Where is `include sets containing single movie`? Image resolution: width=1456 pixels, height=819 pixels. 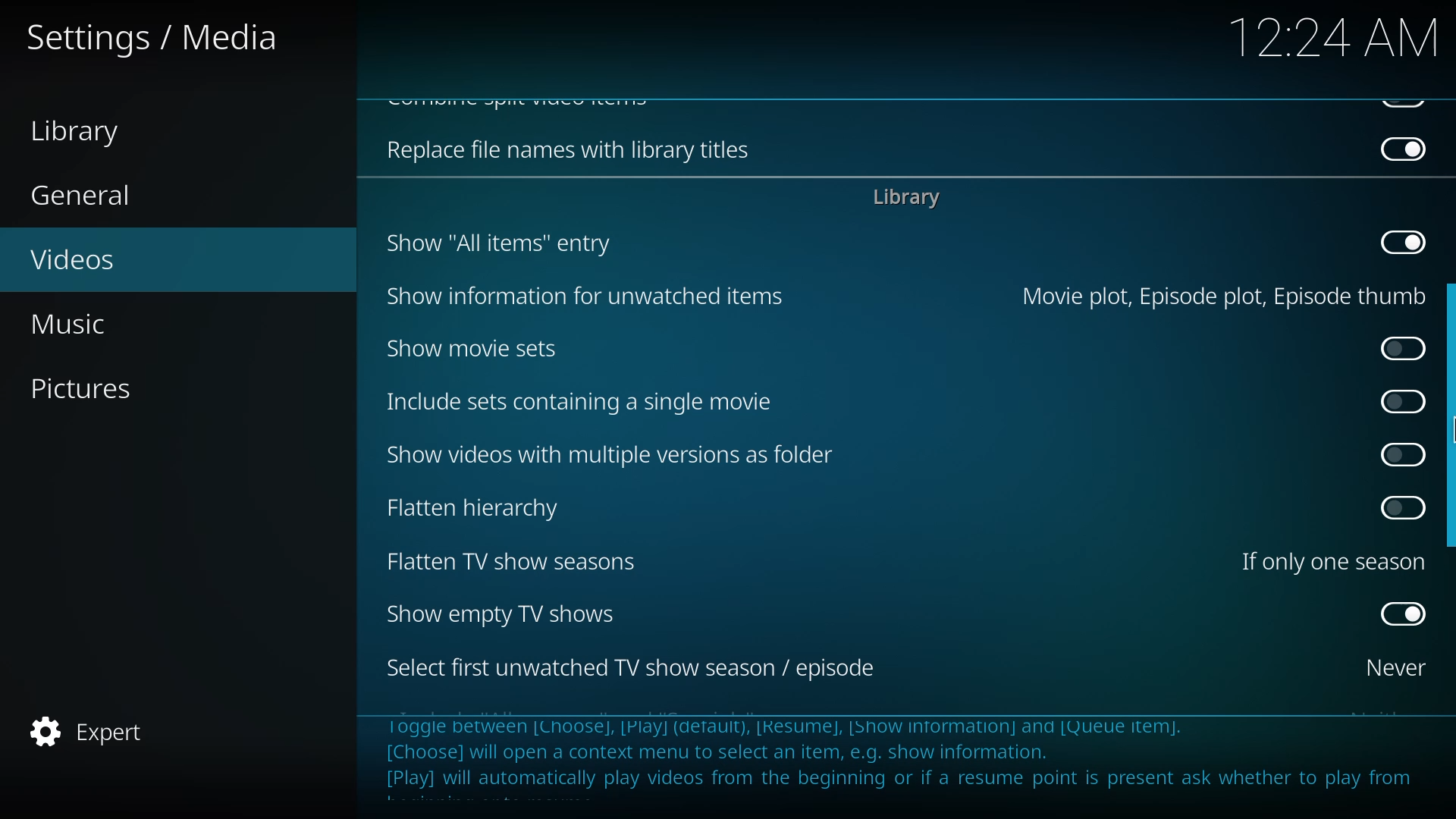
include sets containing single movie is located at coordinates (570, 403).